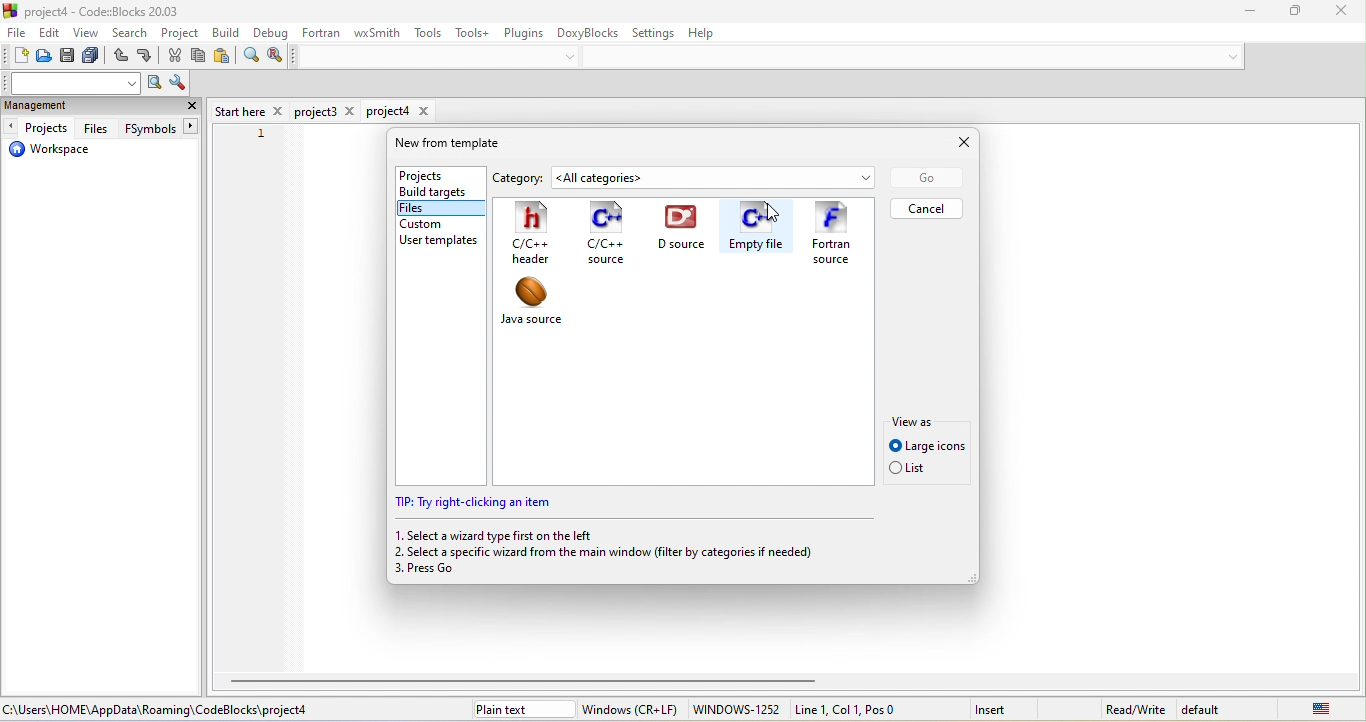  What do you see at coordinates (269, 34) in the screenshot?
I see `debug` at bounding box center [269, 34].